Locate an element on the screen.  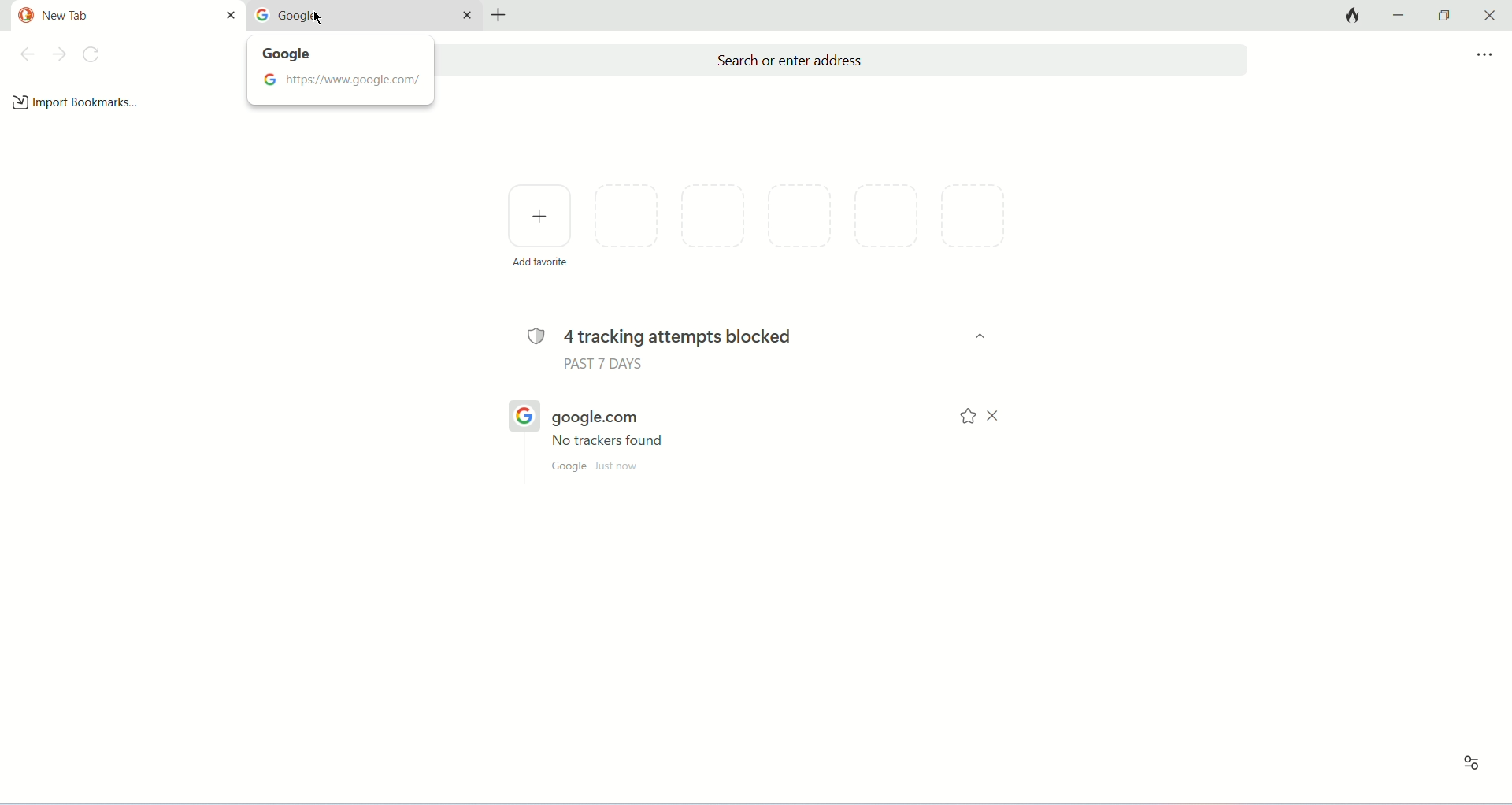
new tab is located at coordinates (97, 18).